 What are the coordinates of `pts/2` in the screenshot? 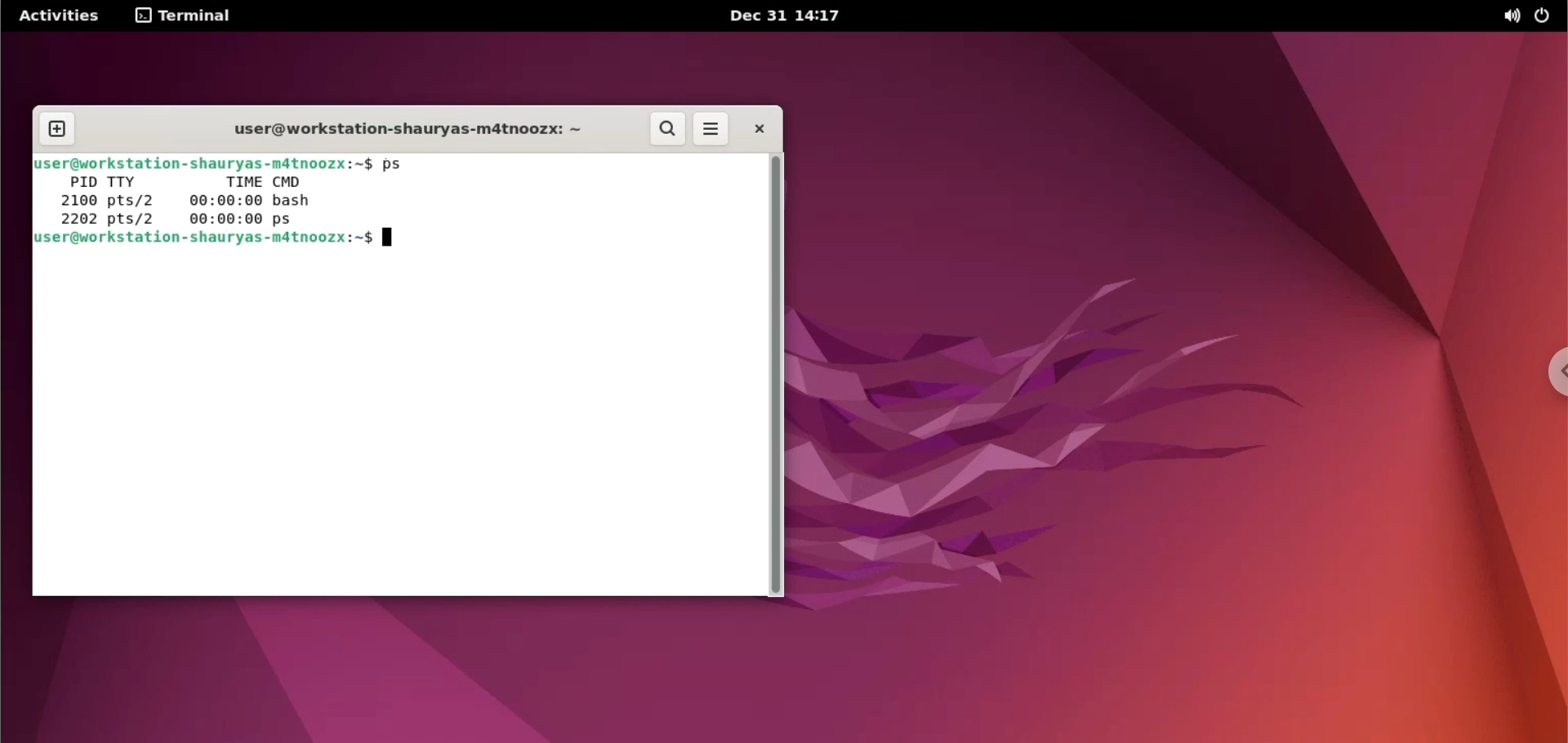 It's located at (130, 201).